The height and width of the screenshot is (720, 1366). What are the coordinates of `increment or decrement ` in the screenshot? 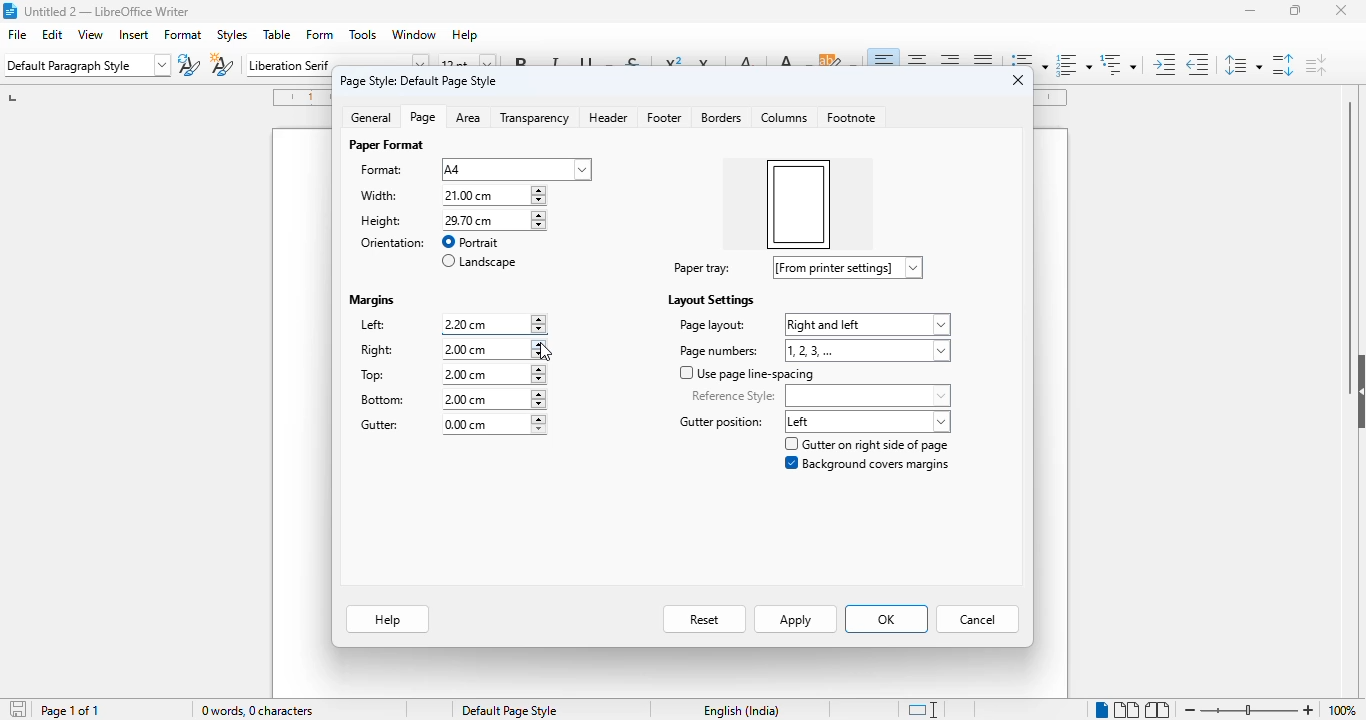 It's located at (543, 425).